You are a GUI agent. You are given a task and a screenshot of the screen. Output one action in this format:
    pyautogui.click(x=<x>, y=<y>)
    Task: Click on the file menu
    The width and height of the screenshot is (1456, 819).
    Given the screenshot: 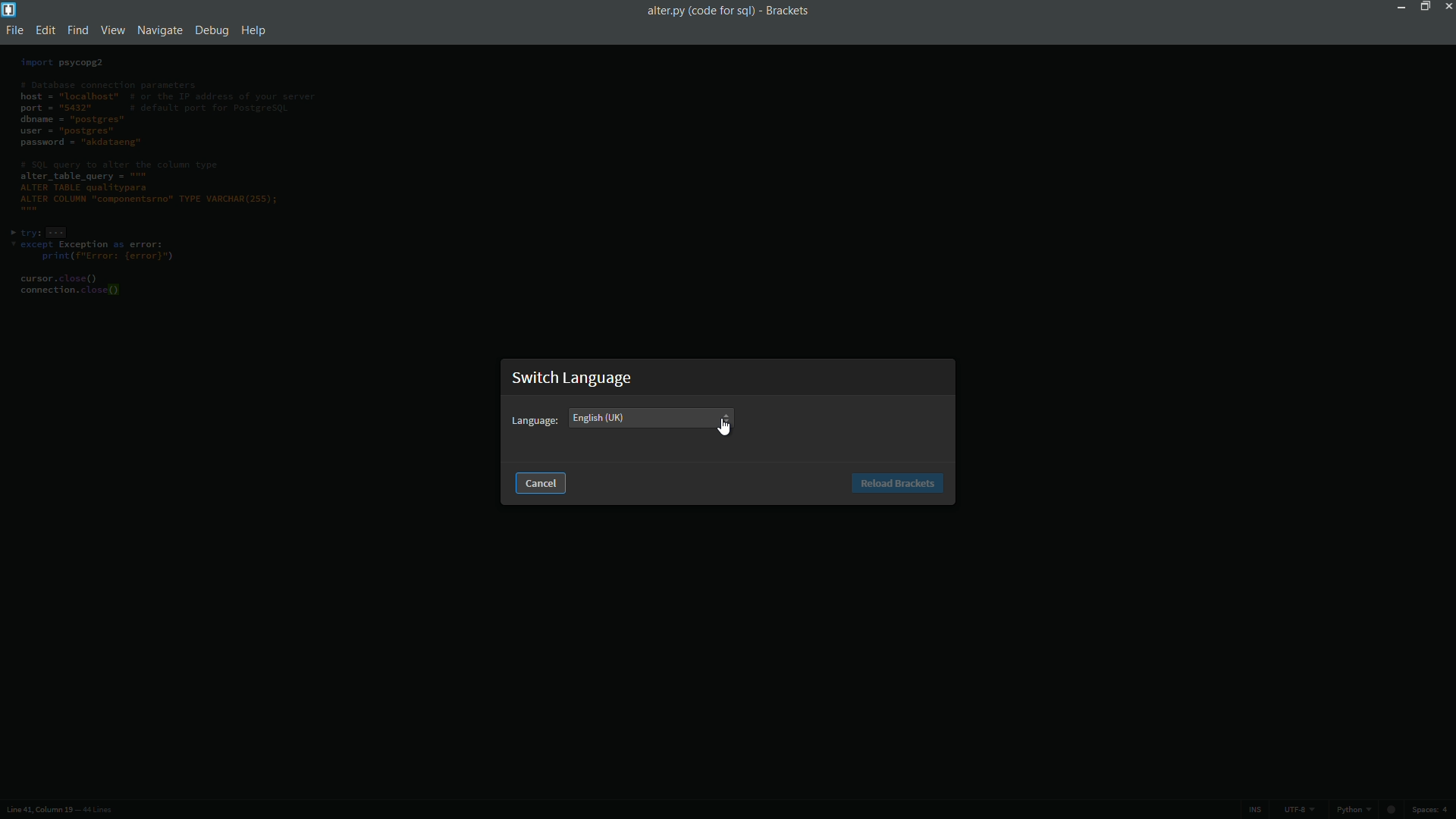 What is the action you would take?
    pyautogui.click(x=12, y=30)
    